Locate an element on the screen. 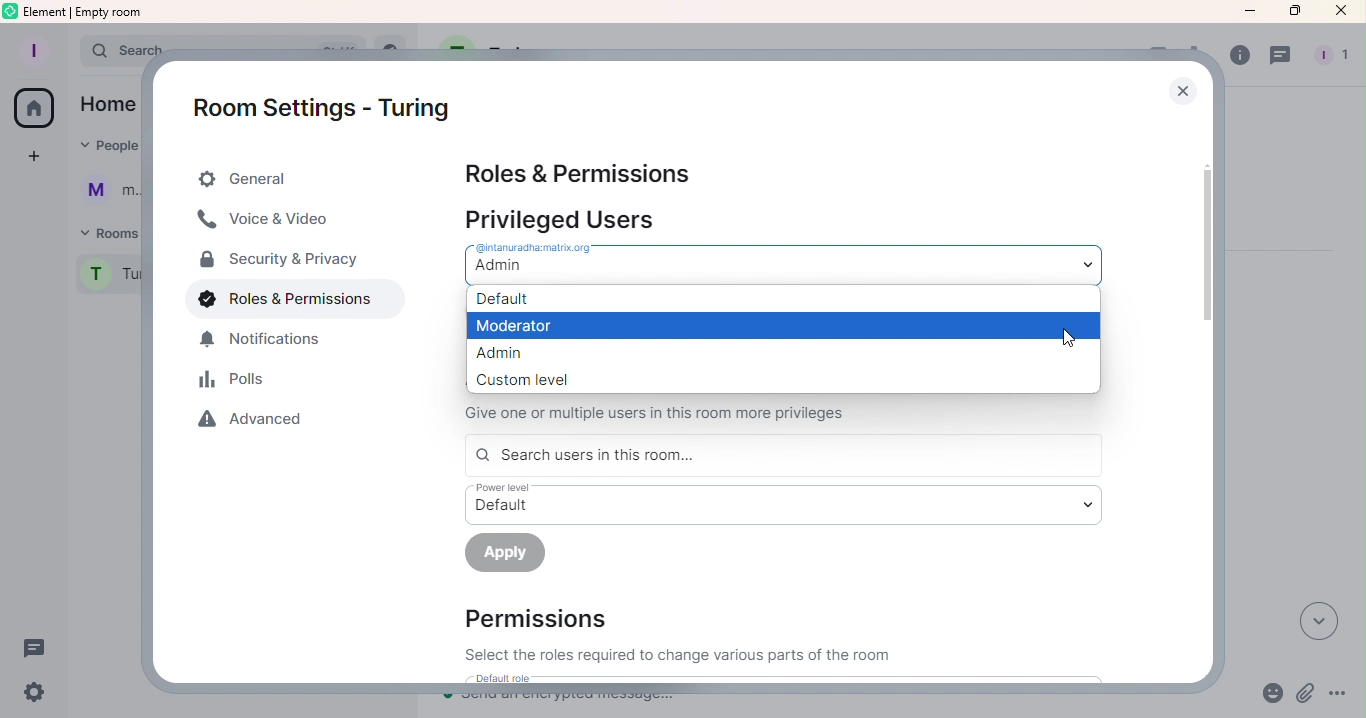 The height and width of the screenshot is (718, 1366). Create space is located at coordinates (35, 157).